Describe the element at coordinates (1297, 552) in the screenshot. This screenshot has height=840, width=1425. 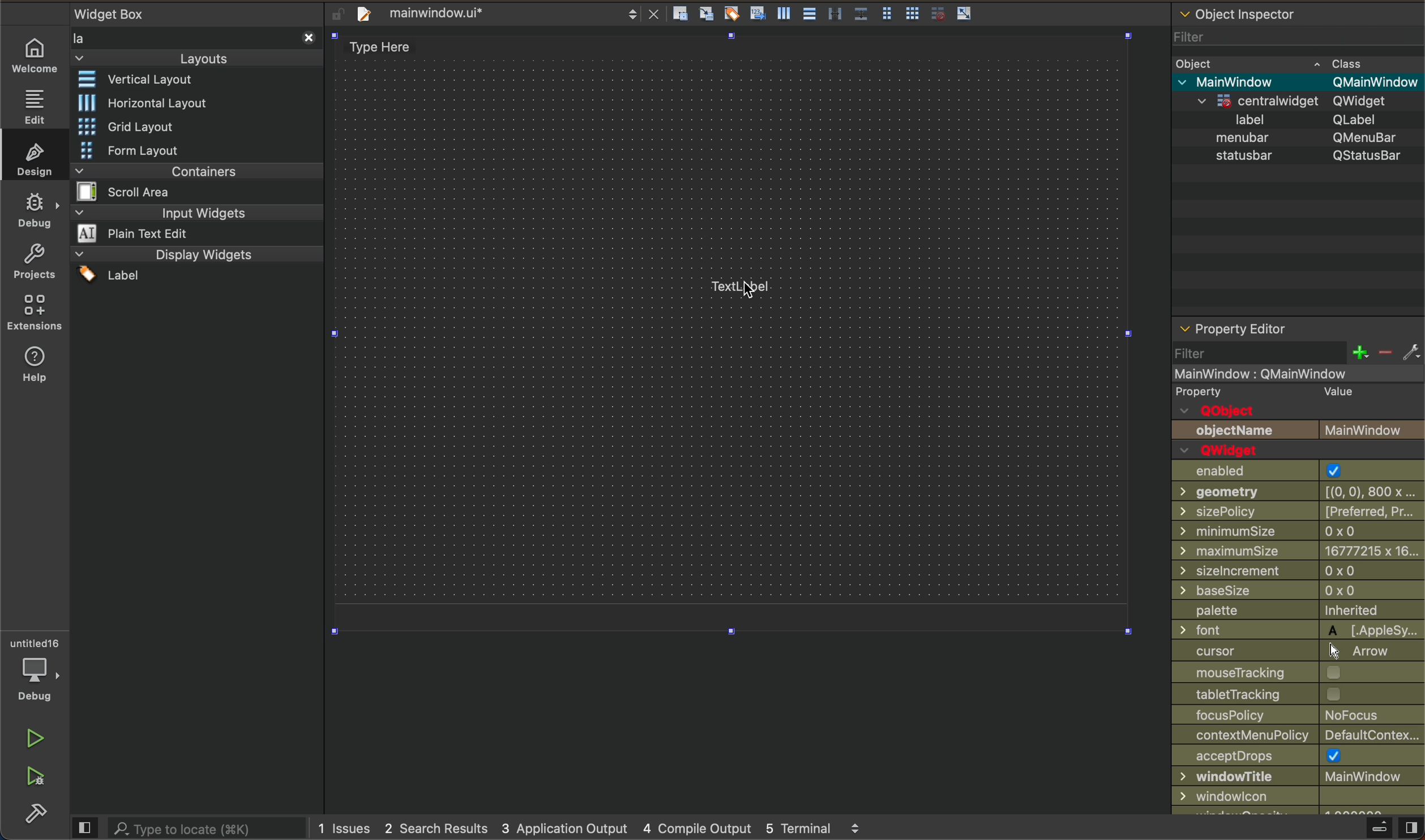
I see `maximum size` at that location.